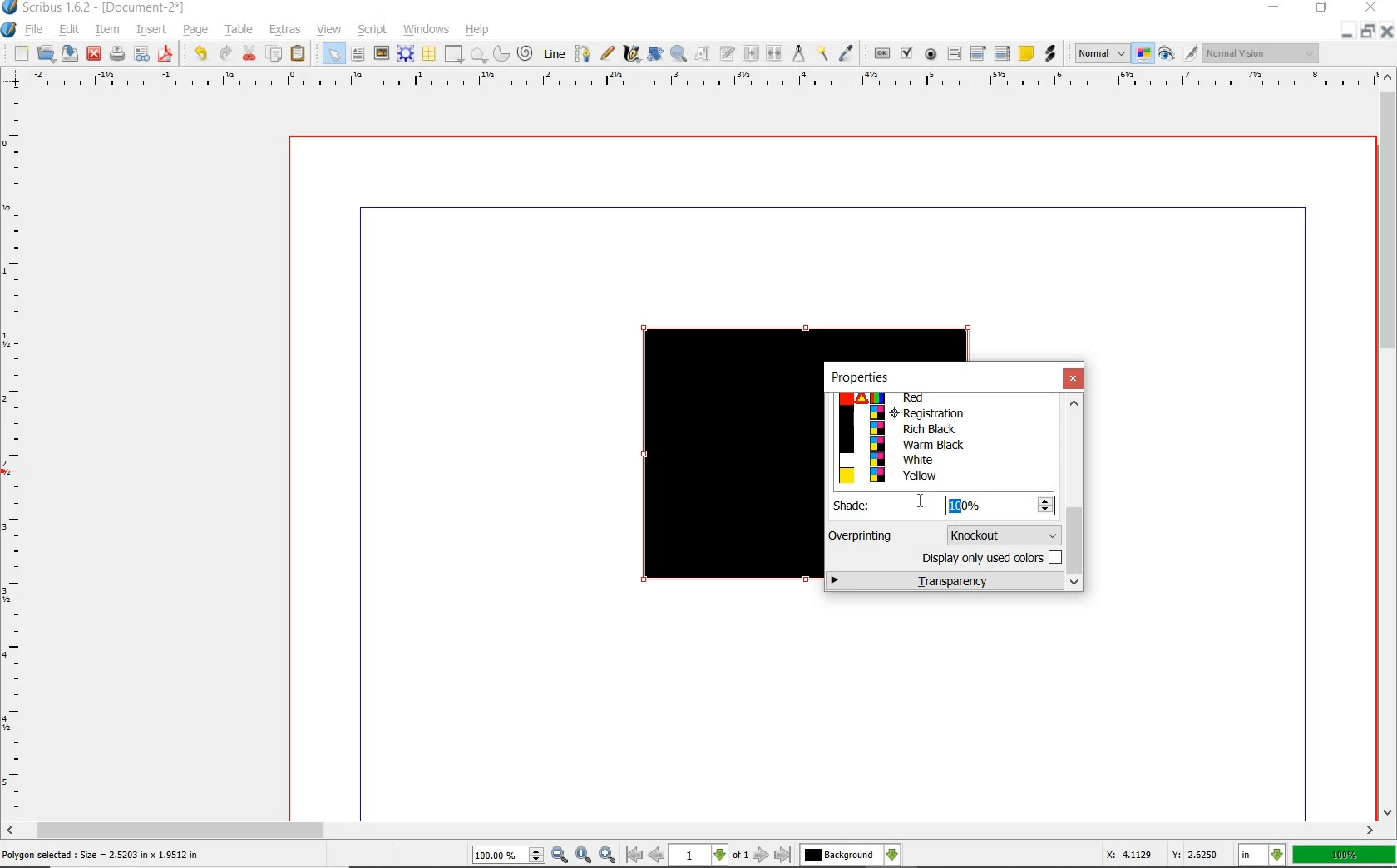 The height and width of the screenshot is (868, 1397). I want to click on undo, so click(200, 55).